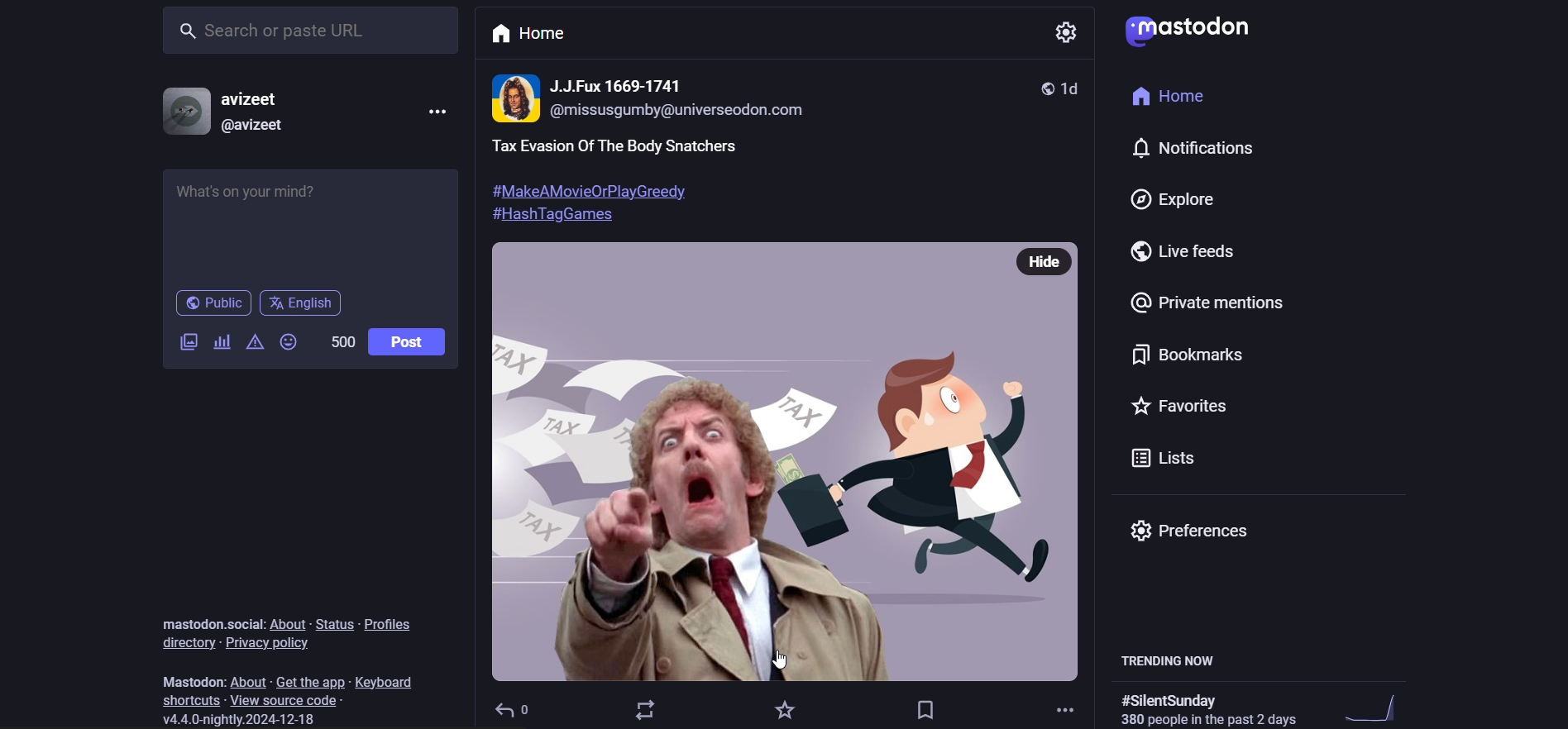  What do you see at coordinates (188, 700) in the screenshot?
I see `shortcut` at bounding box center [188, 700].